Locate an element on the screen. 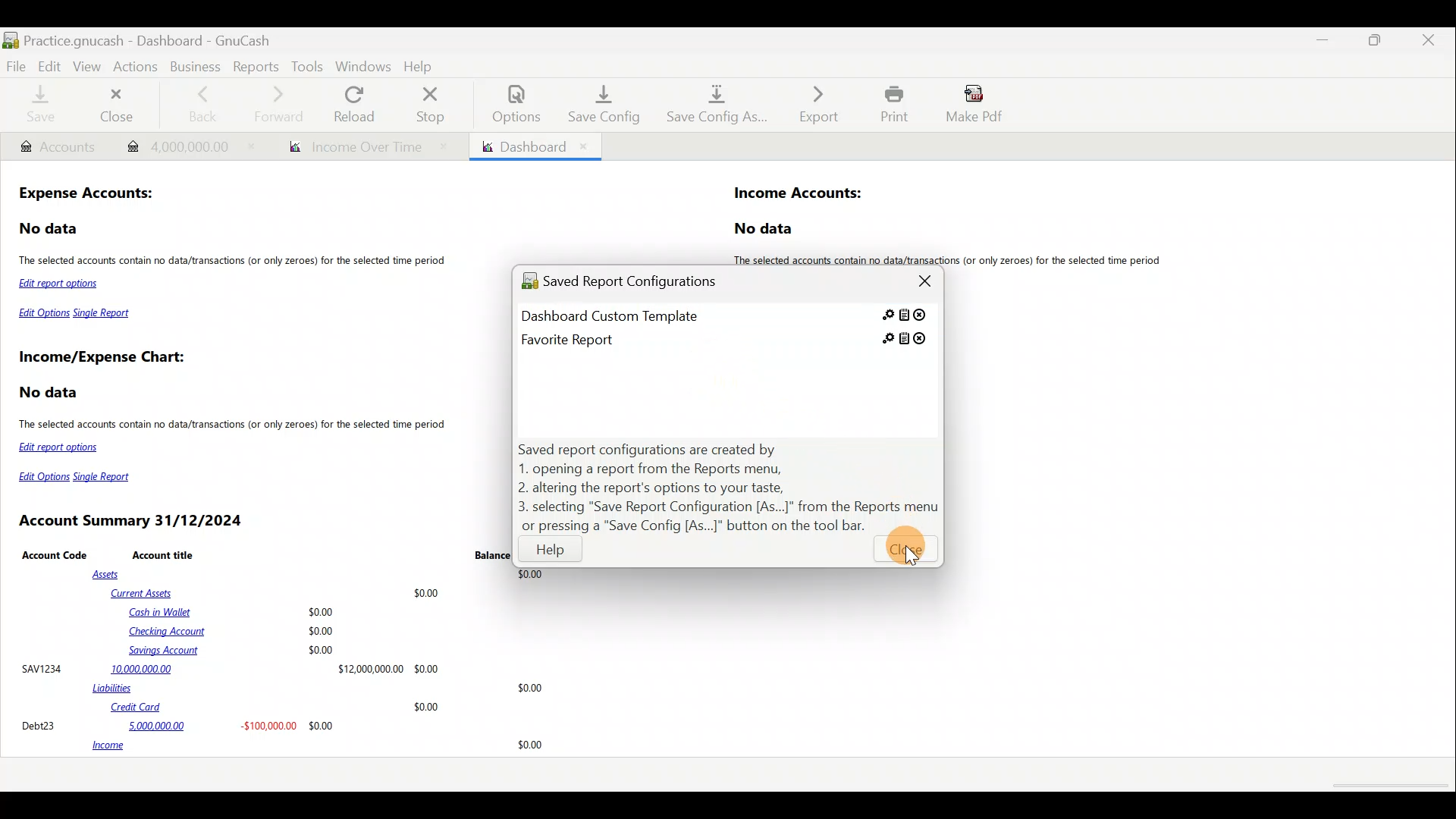  Debt23 5,000,000.00 -$100,000.00 $0.00 is located at coordinates (179, 725).